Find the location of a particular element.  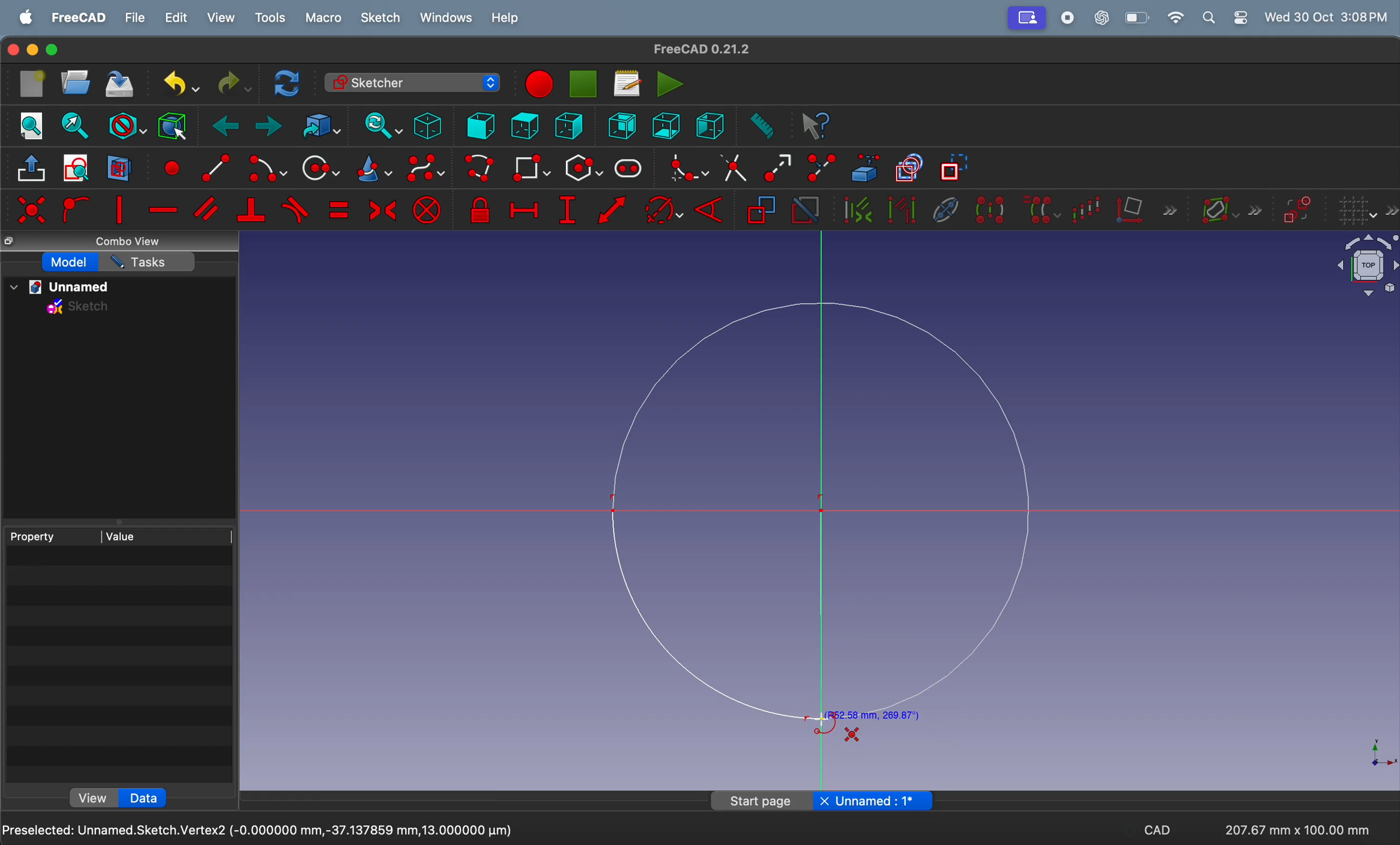

constrain lock is located at coordinates (482, 211).